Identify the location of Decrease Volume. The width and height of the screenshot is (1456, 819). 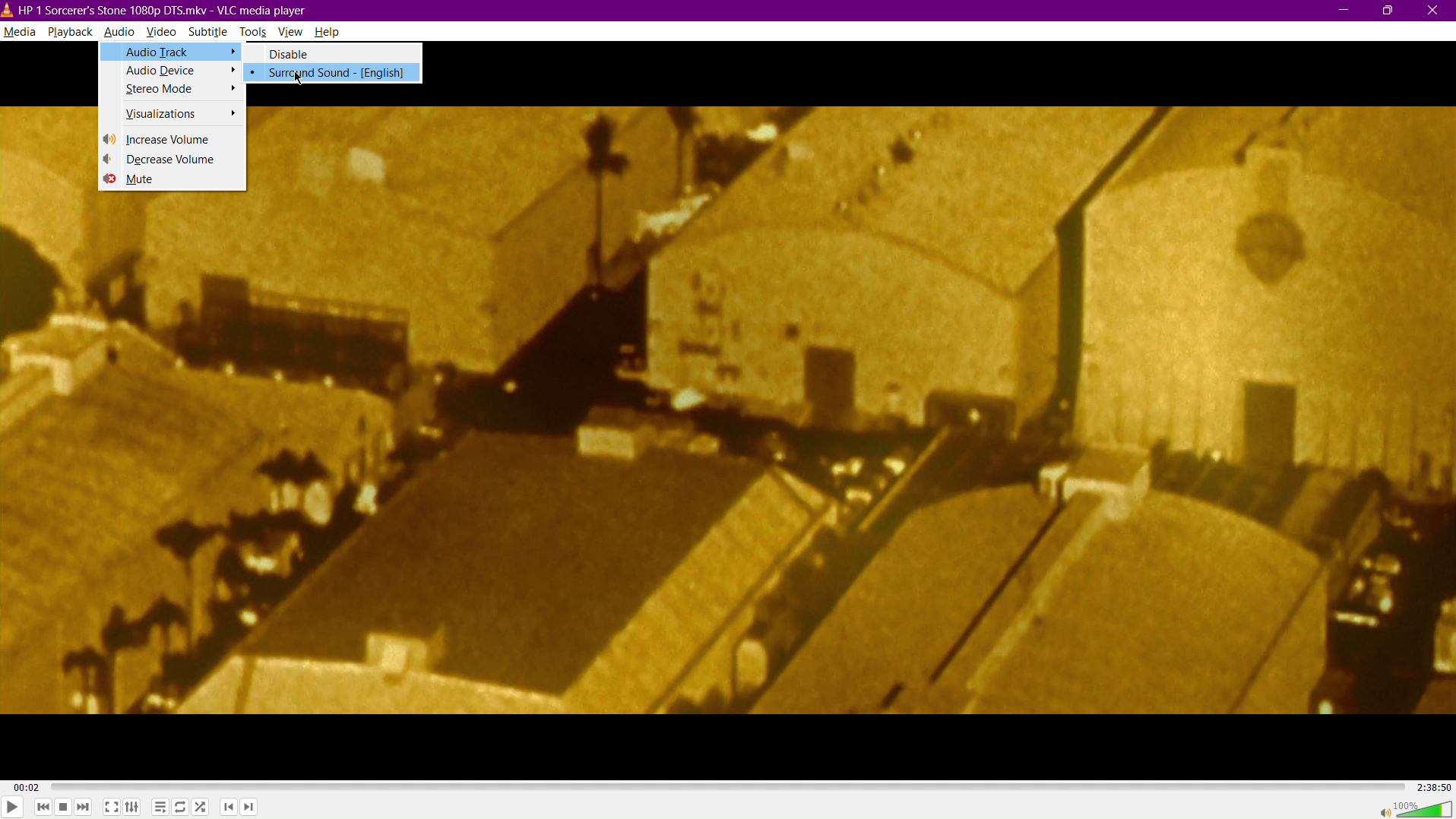
(173, 160).